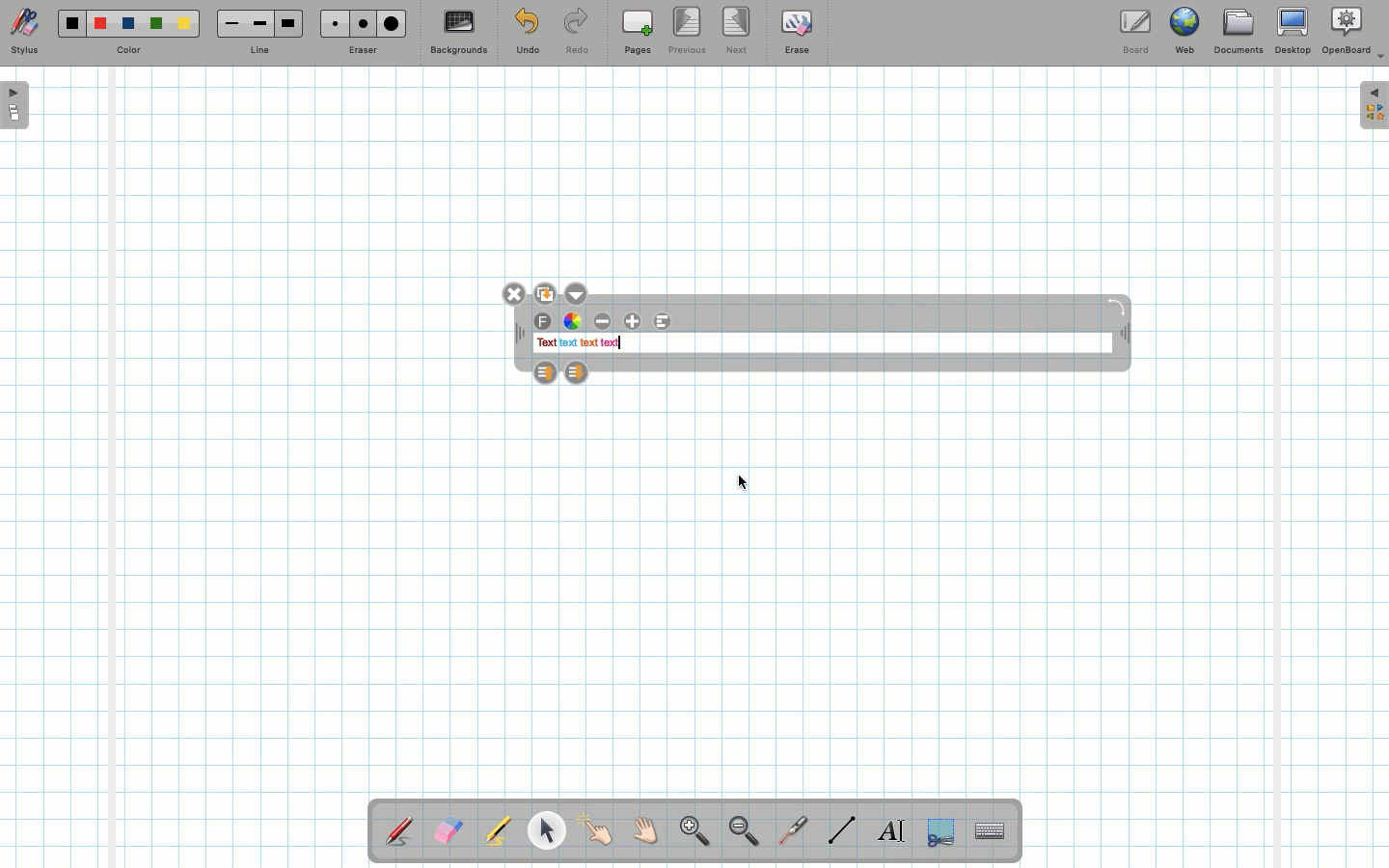  What do you see at coordinates (546, 830) in the screenshot?
I see `Pointer` at bounding box center [546, 830].